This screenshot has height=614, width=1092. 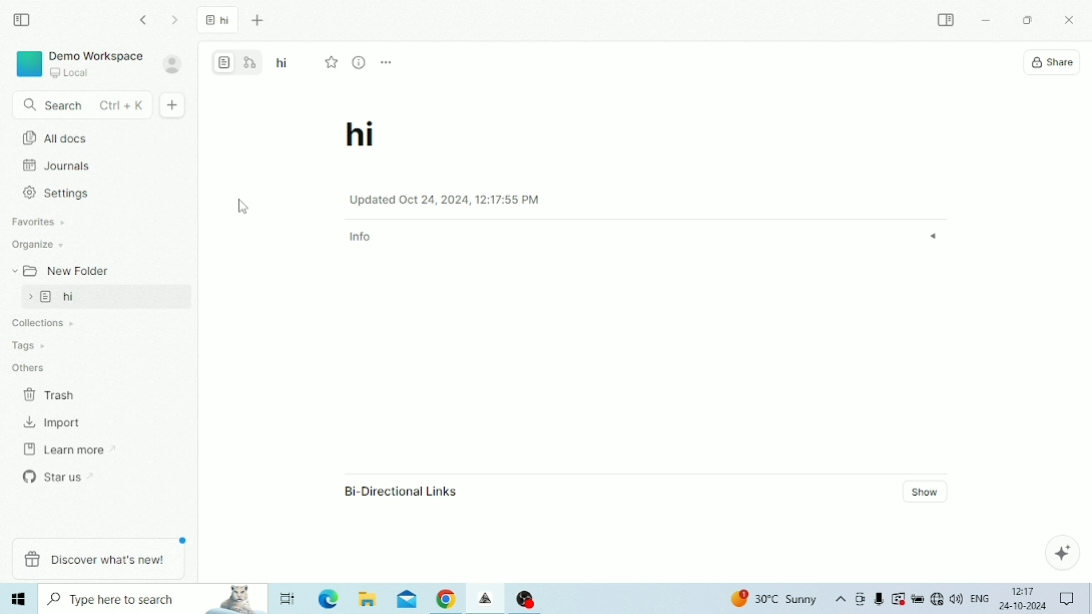 I want to click on View Info, so click(x=360, y=62).